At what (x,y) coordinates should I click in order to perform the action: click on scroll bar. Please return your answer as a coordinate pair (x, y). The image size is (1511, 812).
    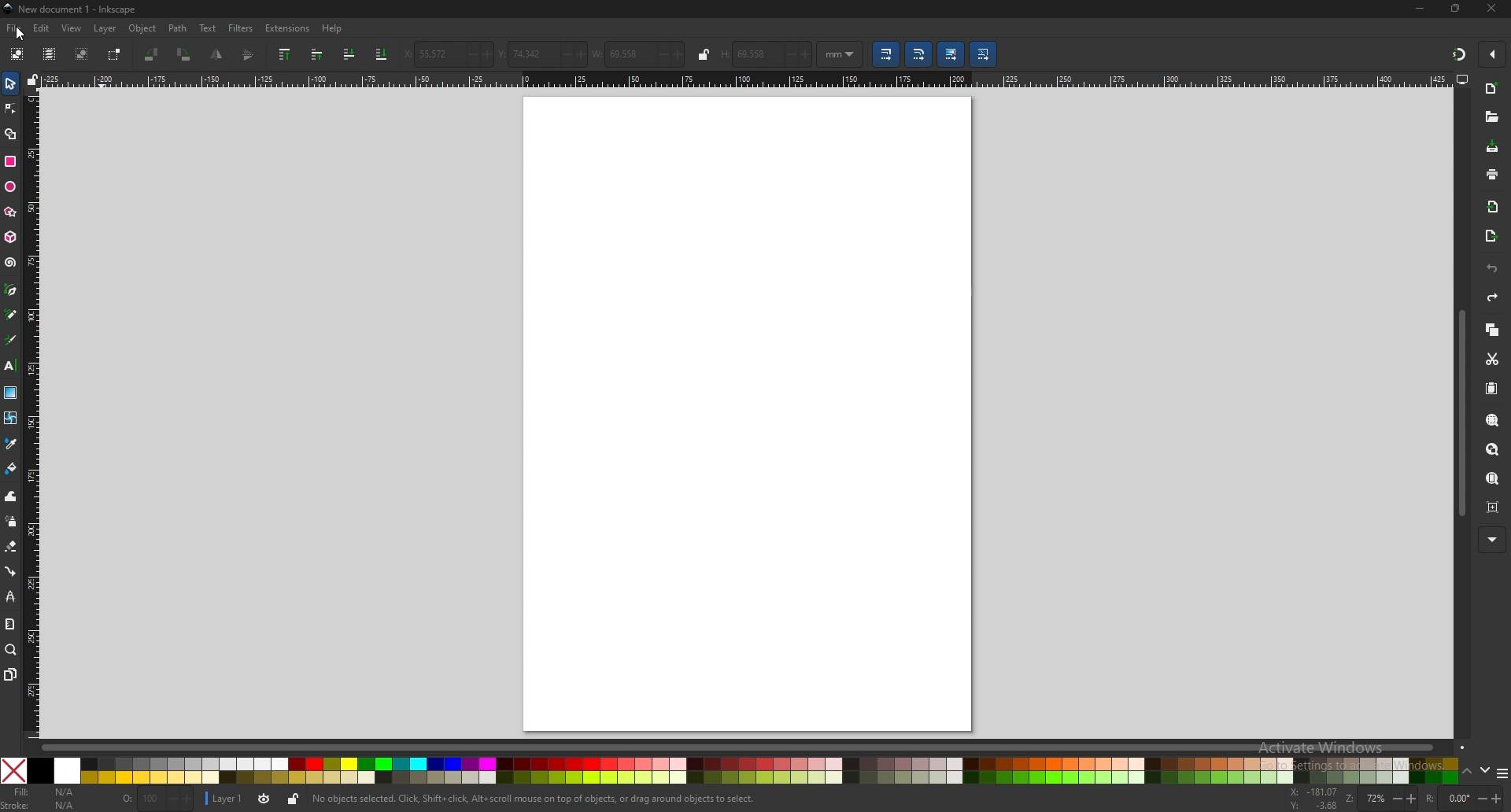
    Looking at the image, I should click on (756, 746).